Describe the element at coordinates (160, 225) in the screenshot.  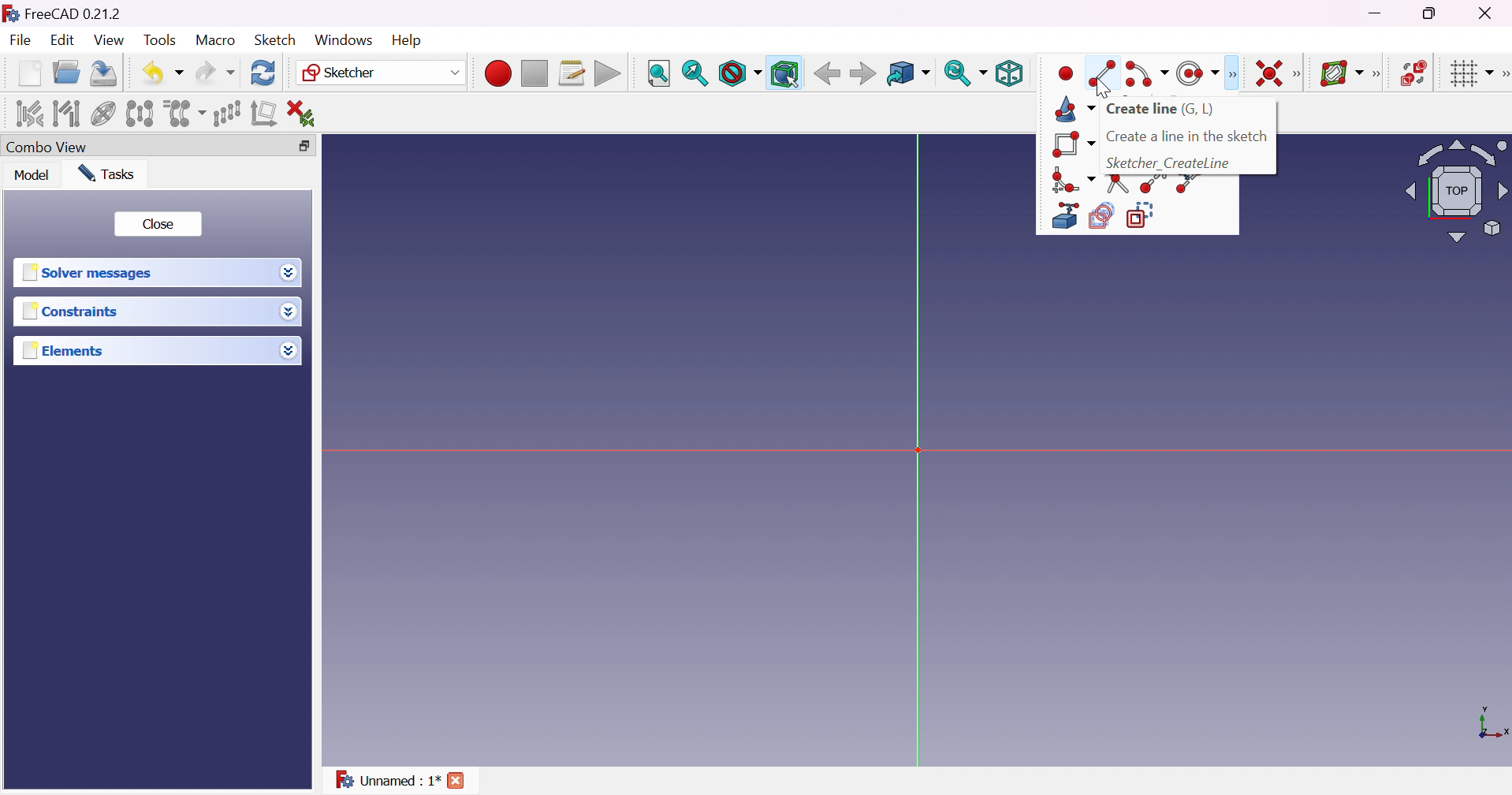
I see `Close` at that location.